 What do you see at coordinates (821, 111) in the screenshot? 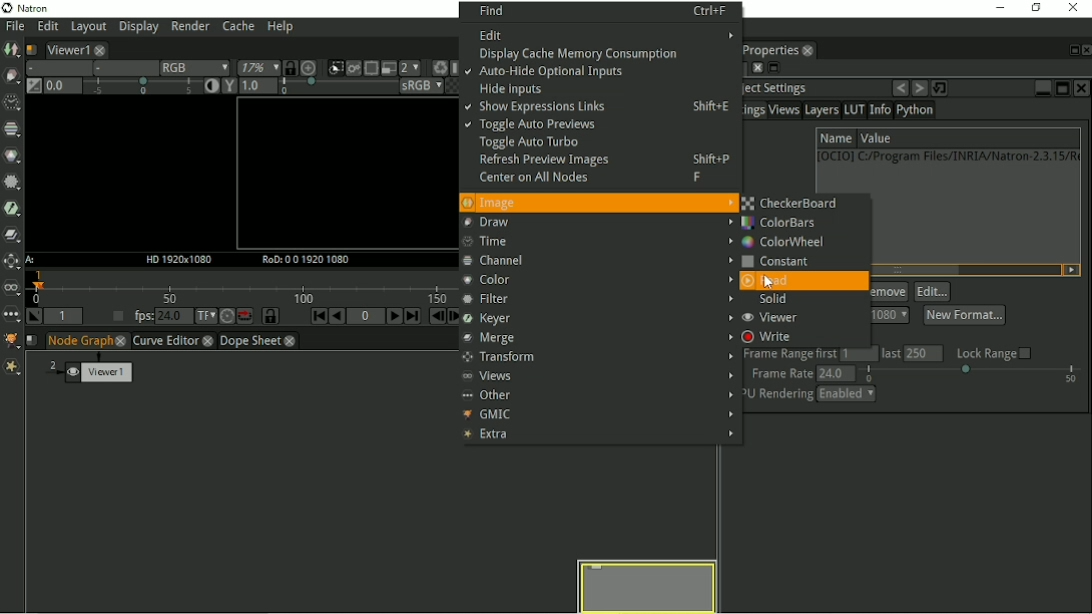
I see `Layers` at bounding box center [821, 111].